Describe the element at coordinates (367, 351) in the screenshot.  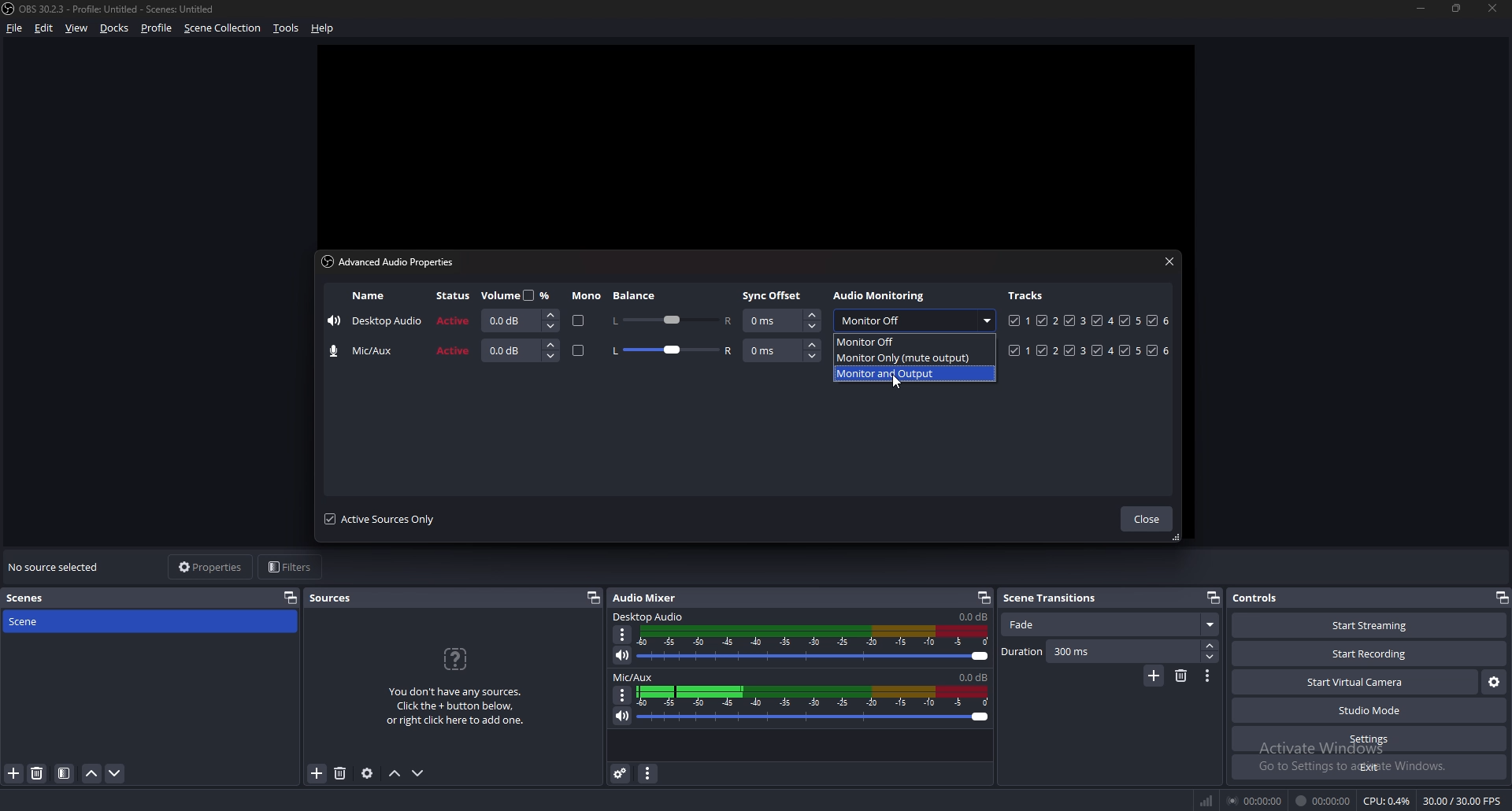
I see `mic/aux` at that location.